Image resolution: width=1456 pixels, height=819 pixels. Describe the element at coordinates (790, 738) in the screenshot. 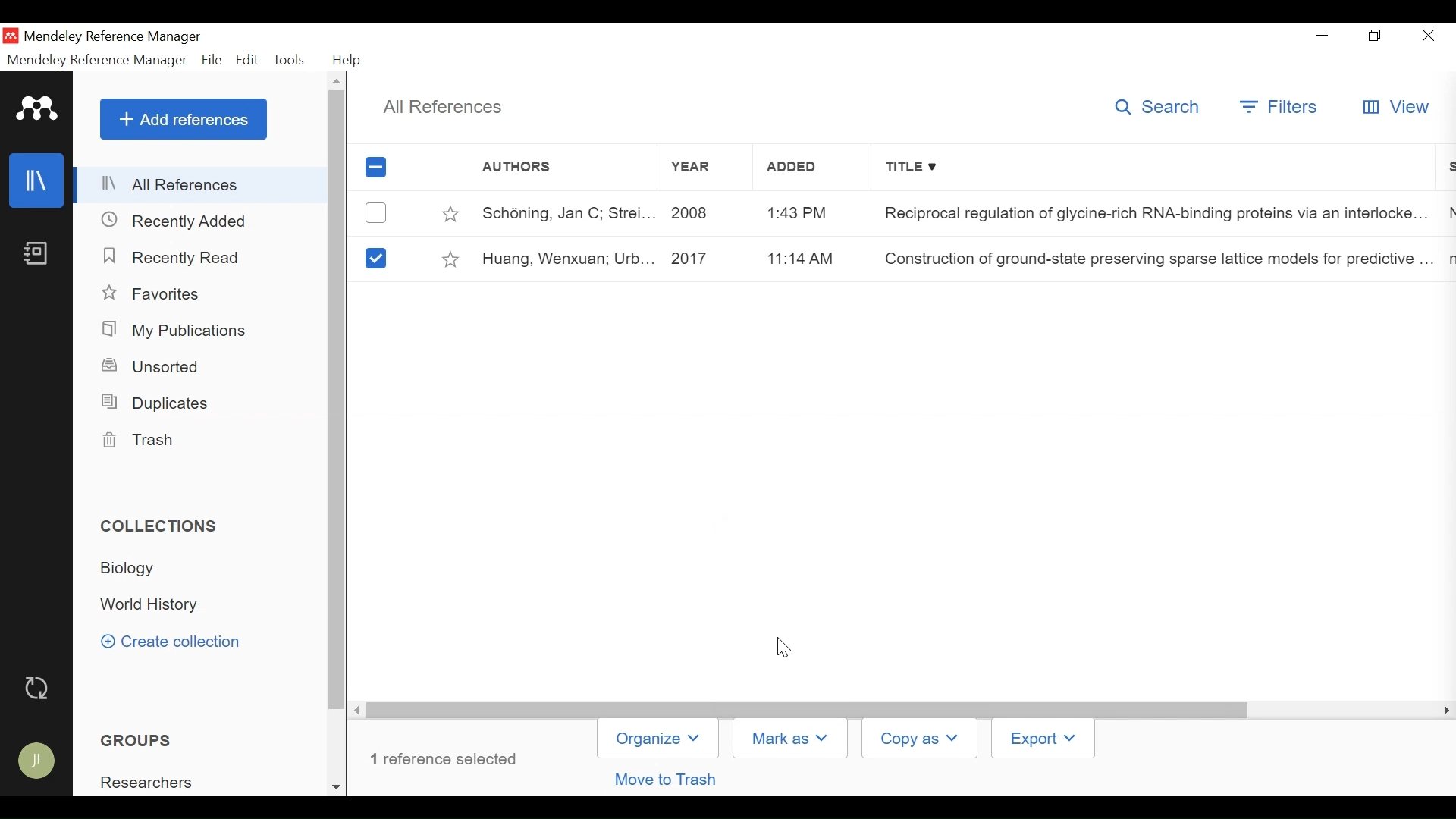

I see `Mark As` at that location.